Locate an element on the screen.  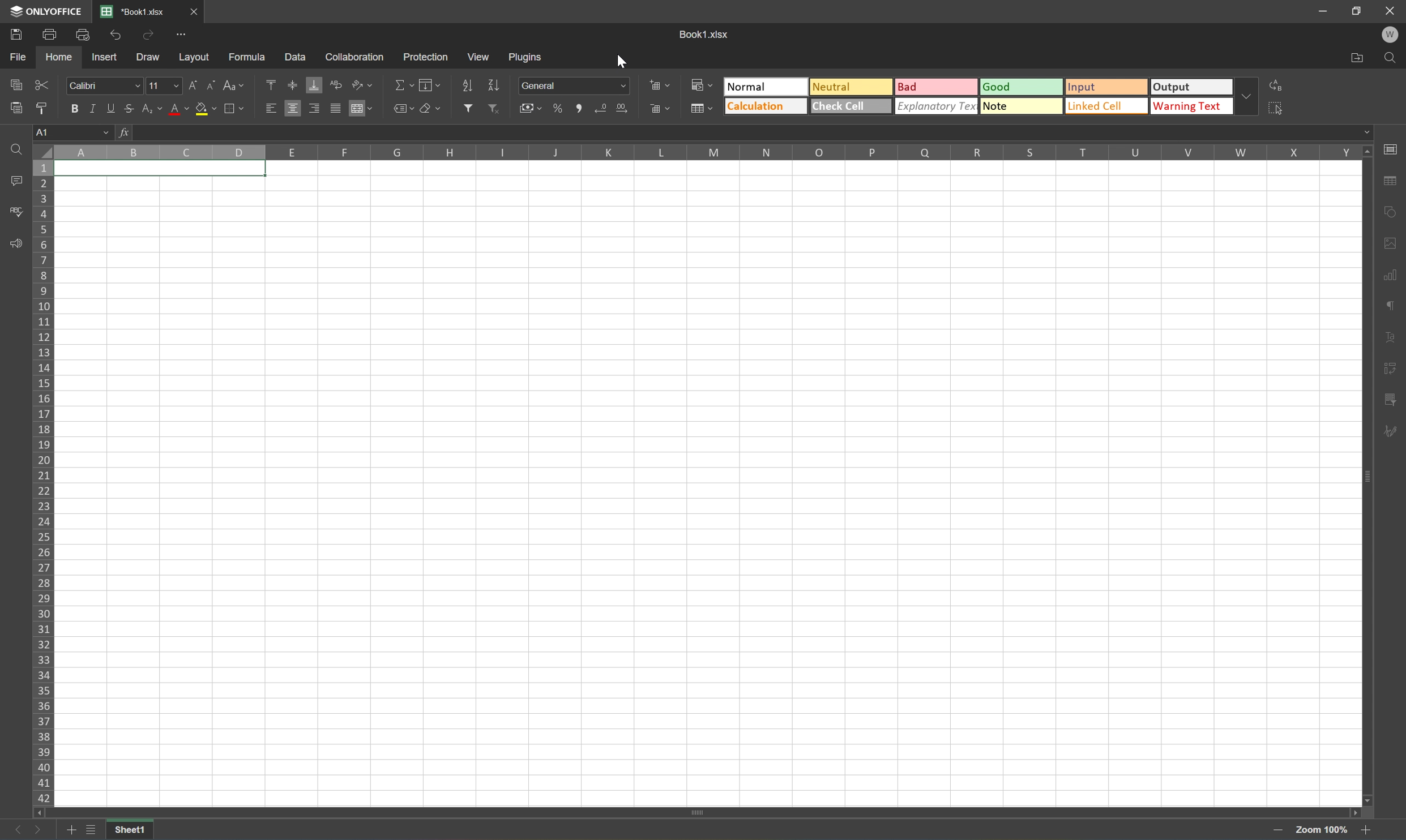
ONLYOFFICE is located at coordinates (44, 11).